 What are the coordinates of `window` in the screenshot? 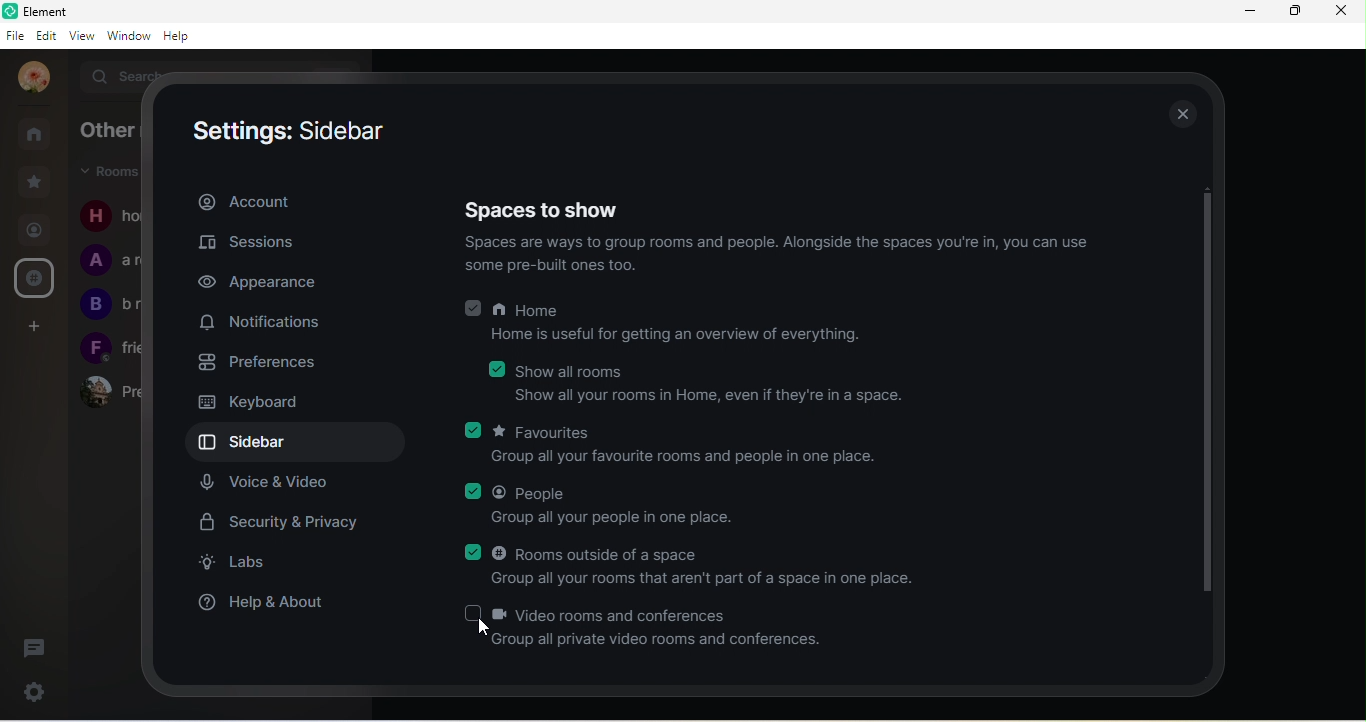 It's located at (130, 36).